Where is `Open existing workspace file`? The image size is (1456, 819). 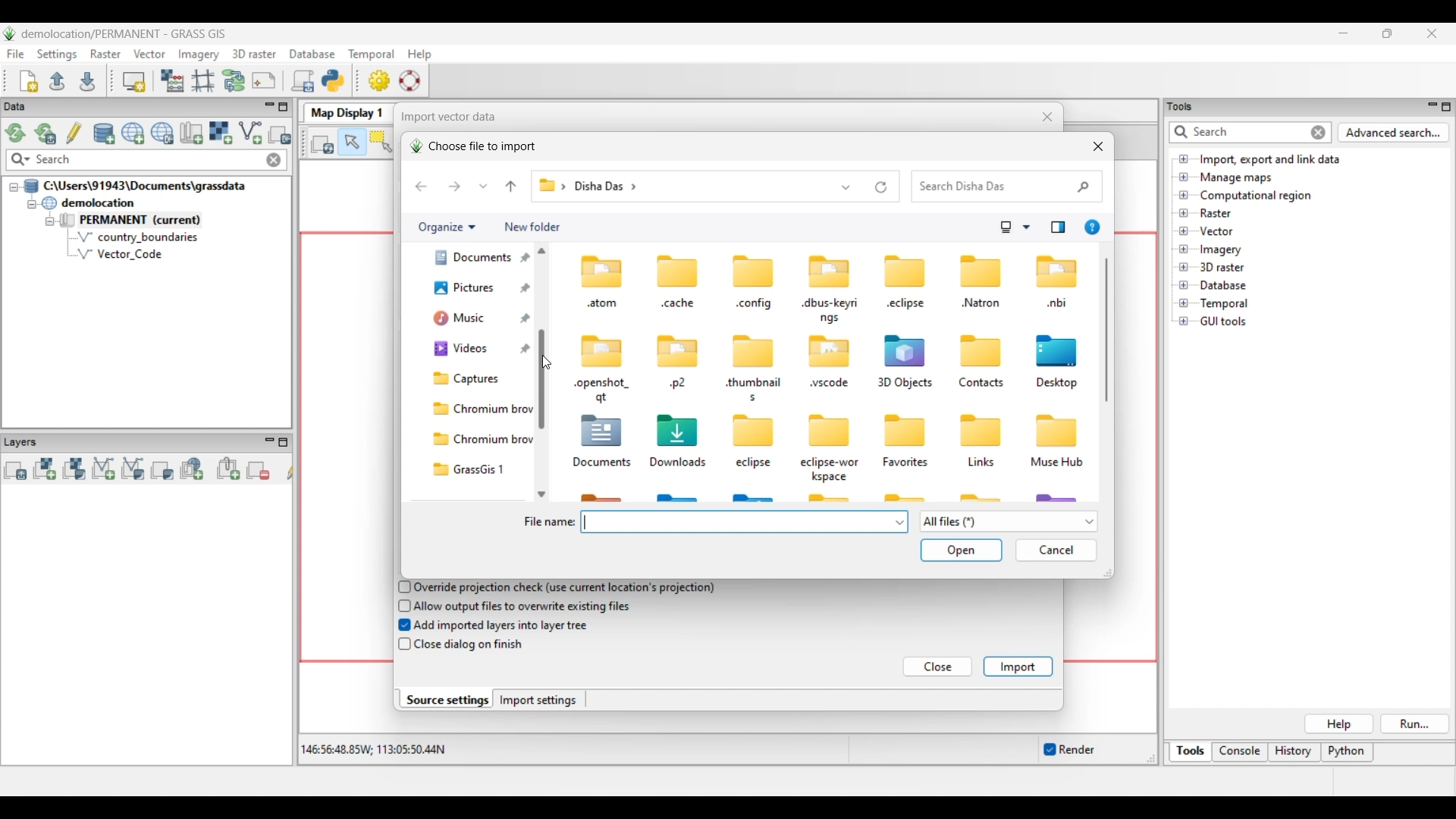 Open existing workspace file is located at coordinates (57, 80).